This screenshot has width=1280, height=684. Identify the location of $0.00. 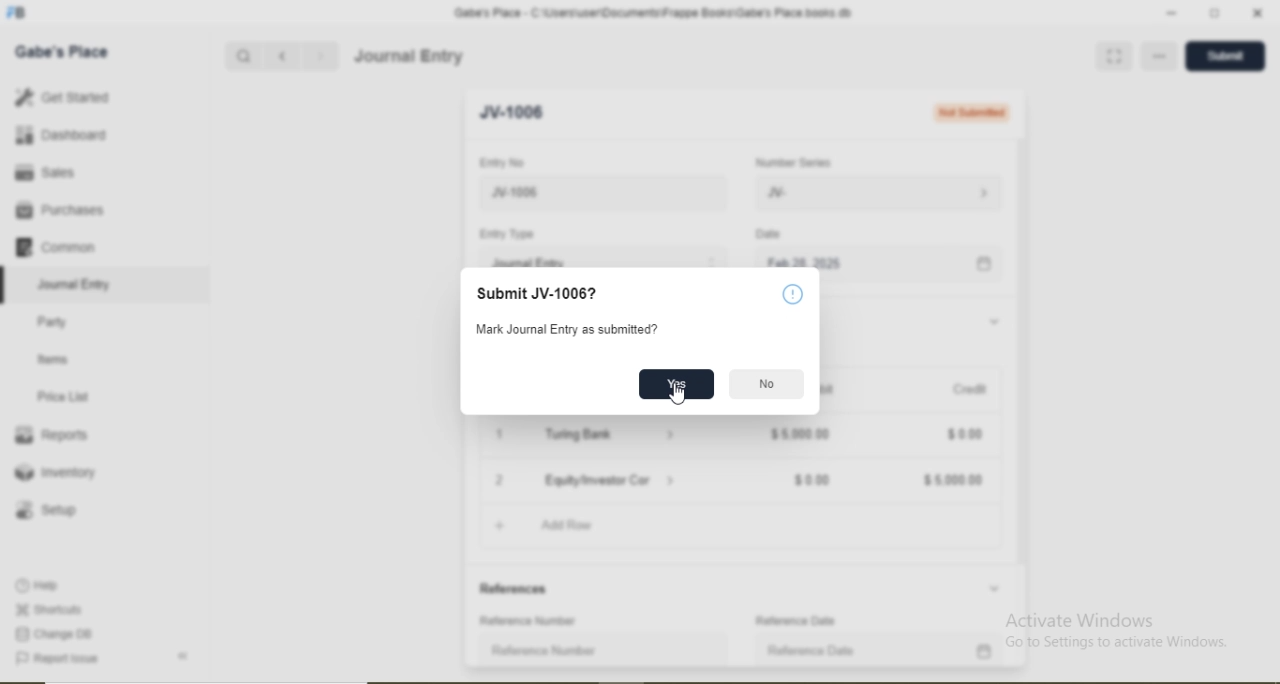
(965, 435).